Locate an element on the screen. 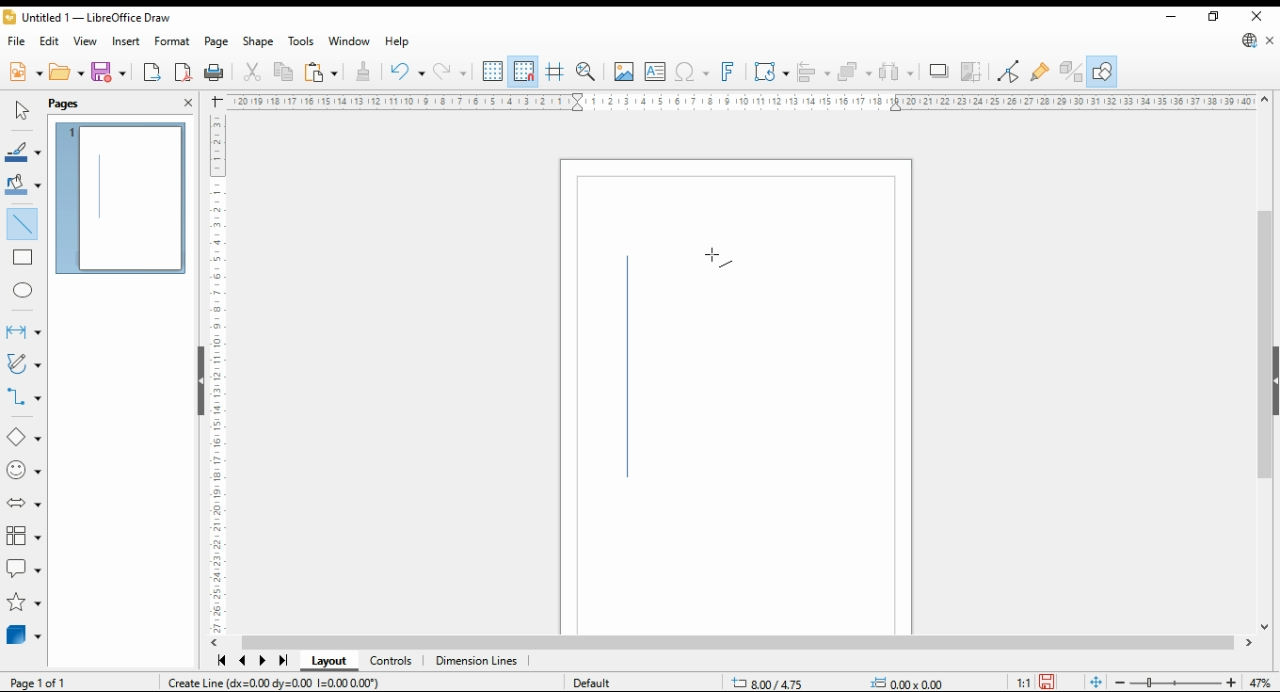 Image resolution: width=1280 pixels, height=692 pixels. curves and polygons is located at coordinates (22, 365).